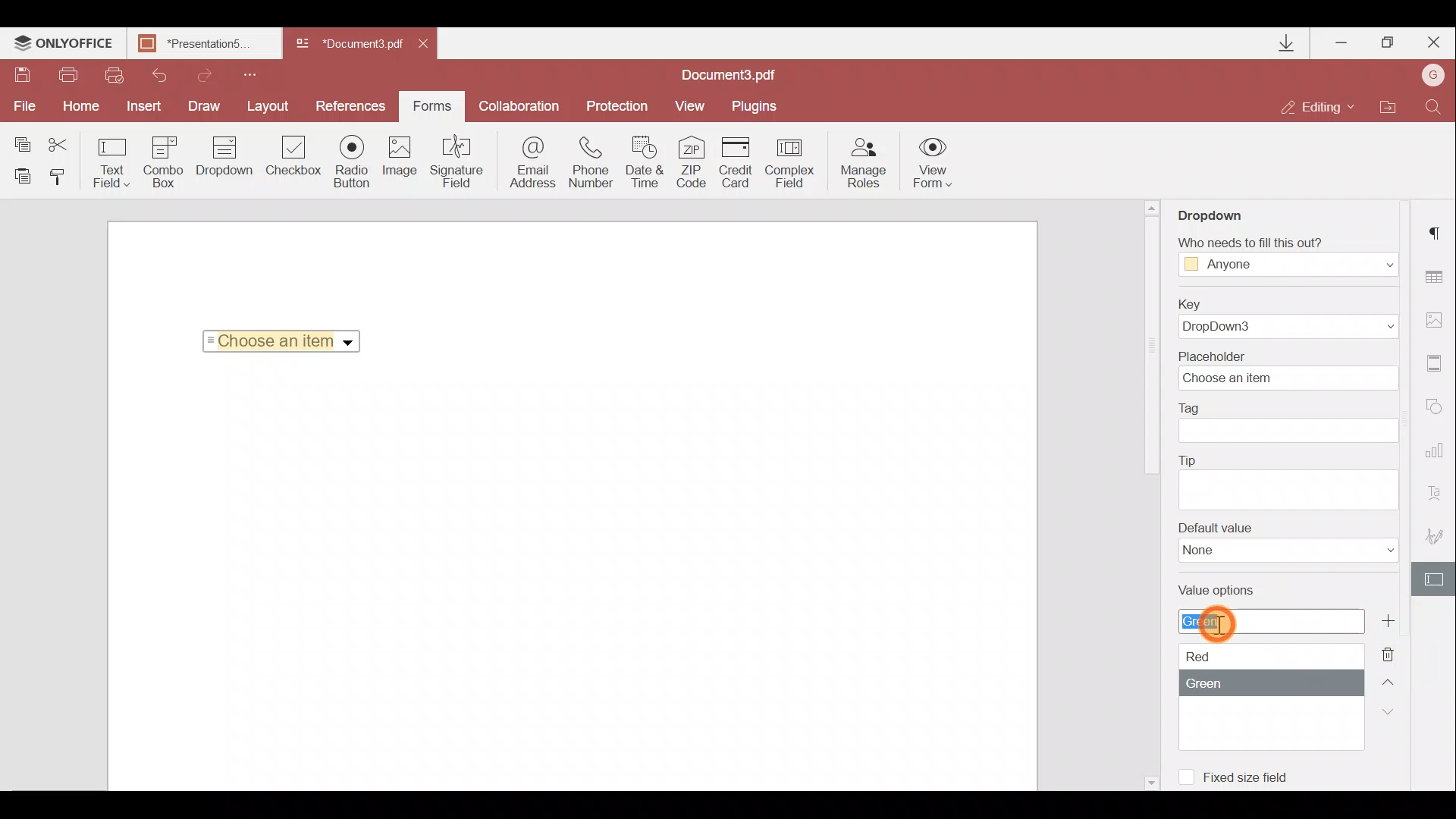 The height and width of the screenshot is (819, 1456). What do you see at coordinates (256, 74) in the screenshot?
I see `Customize quick access toolbar` at bounding box center [256, 74].